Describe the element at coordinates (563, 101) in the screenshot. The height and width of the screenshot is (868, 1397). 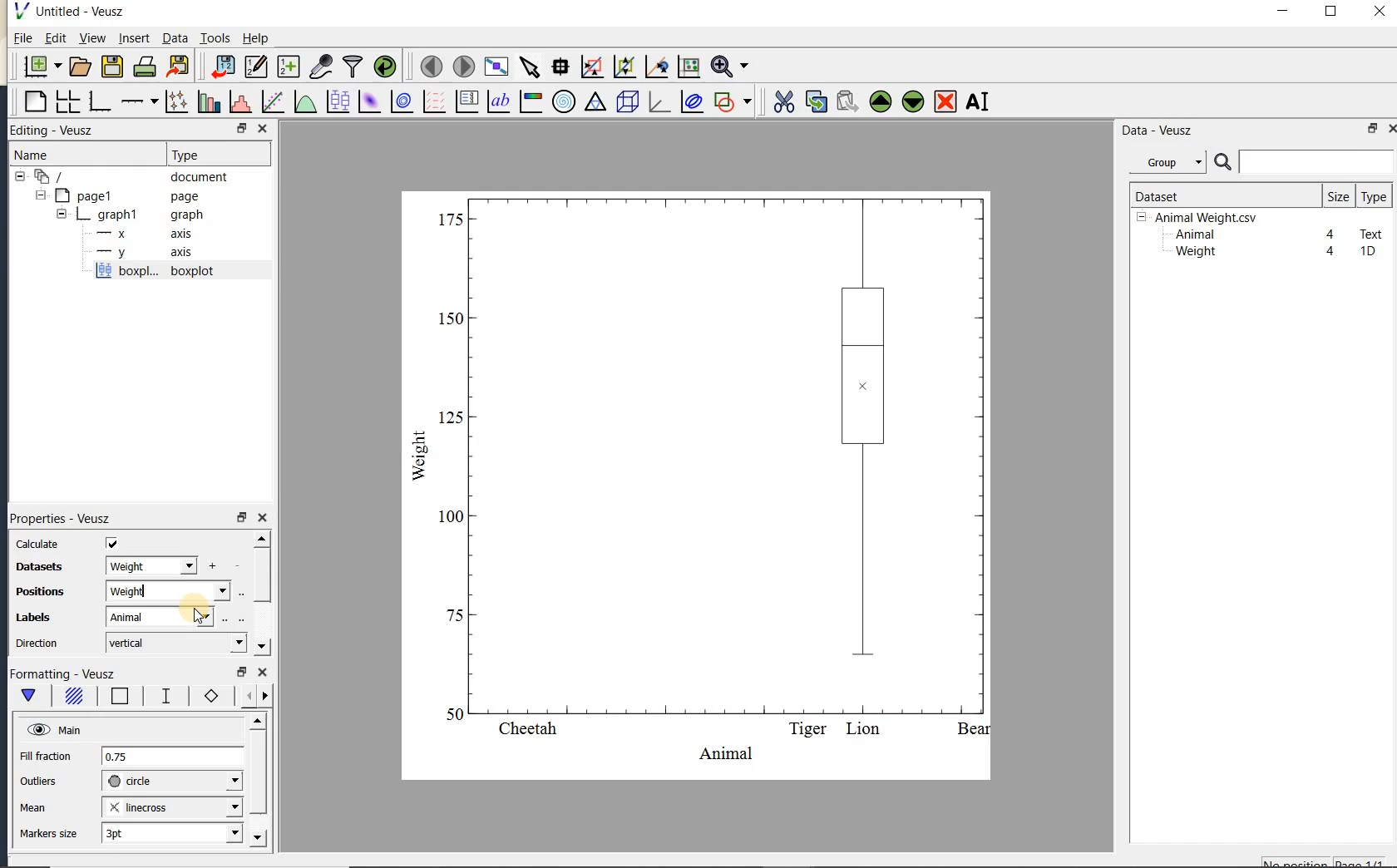
I see `polar graph` at that location.